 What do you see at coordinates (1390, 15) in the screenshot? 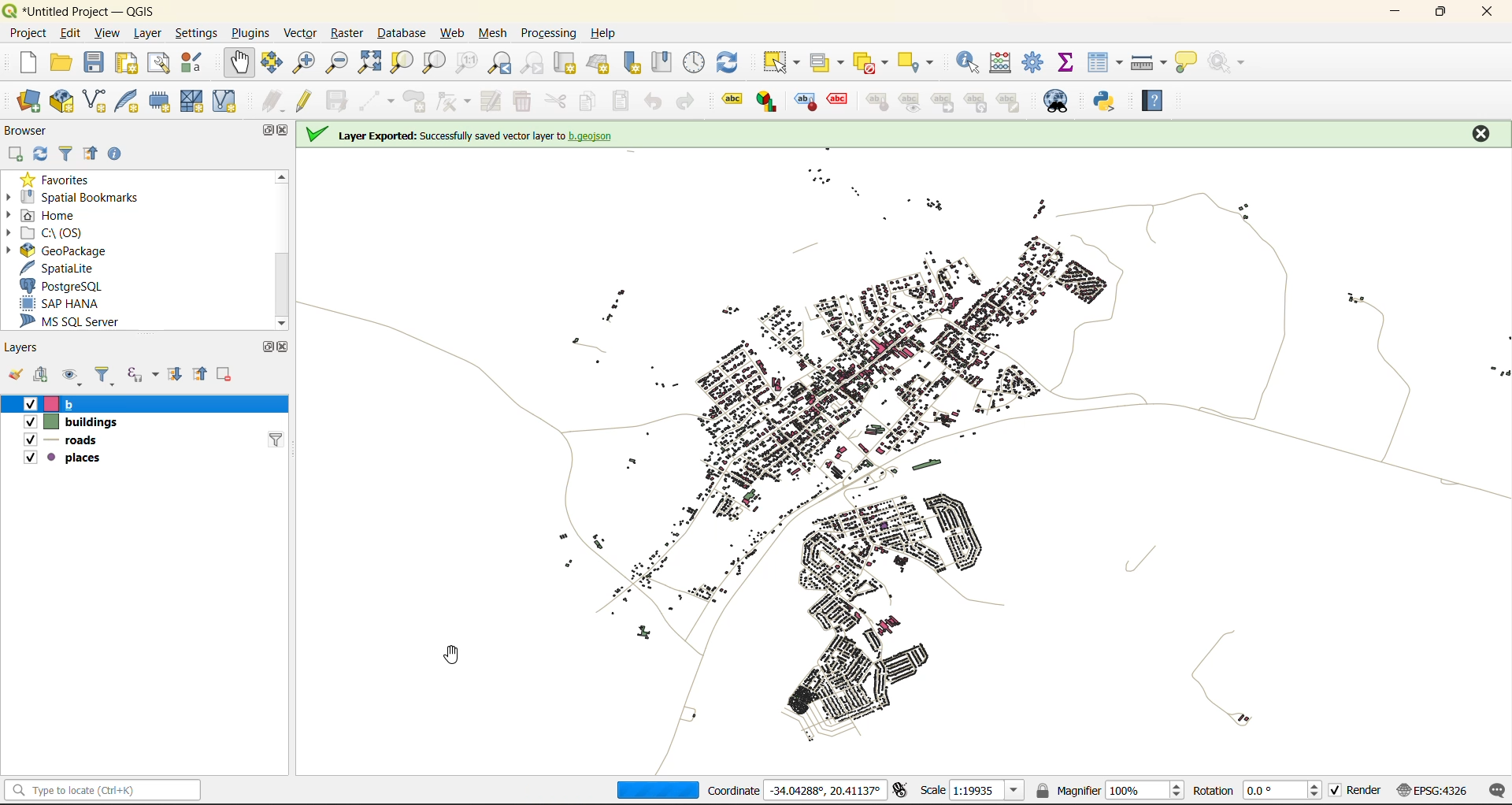
I see `minimize` at bounding box center [1390, 15].